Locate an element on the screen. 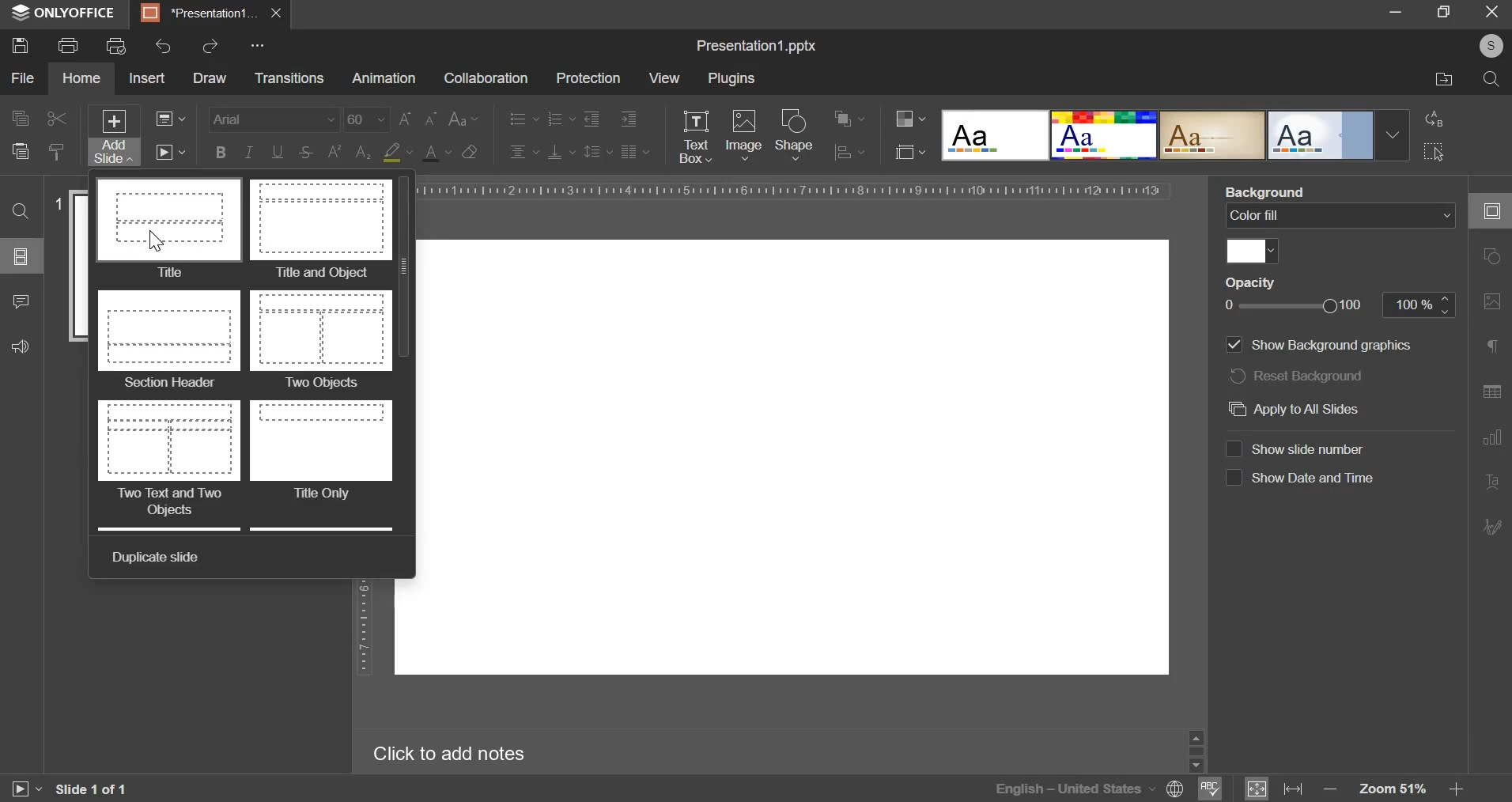 This screenshot has height=802, width=1512. section header is located at coordinates (168, 341).